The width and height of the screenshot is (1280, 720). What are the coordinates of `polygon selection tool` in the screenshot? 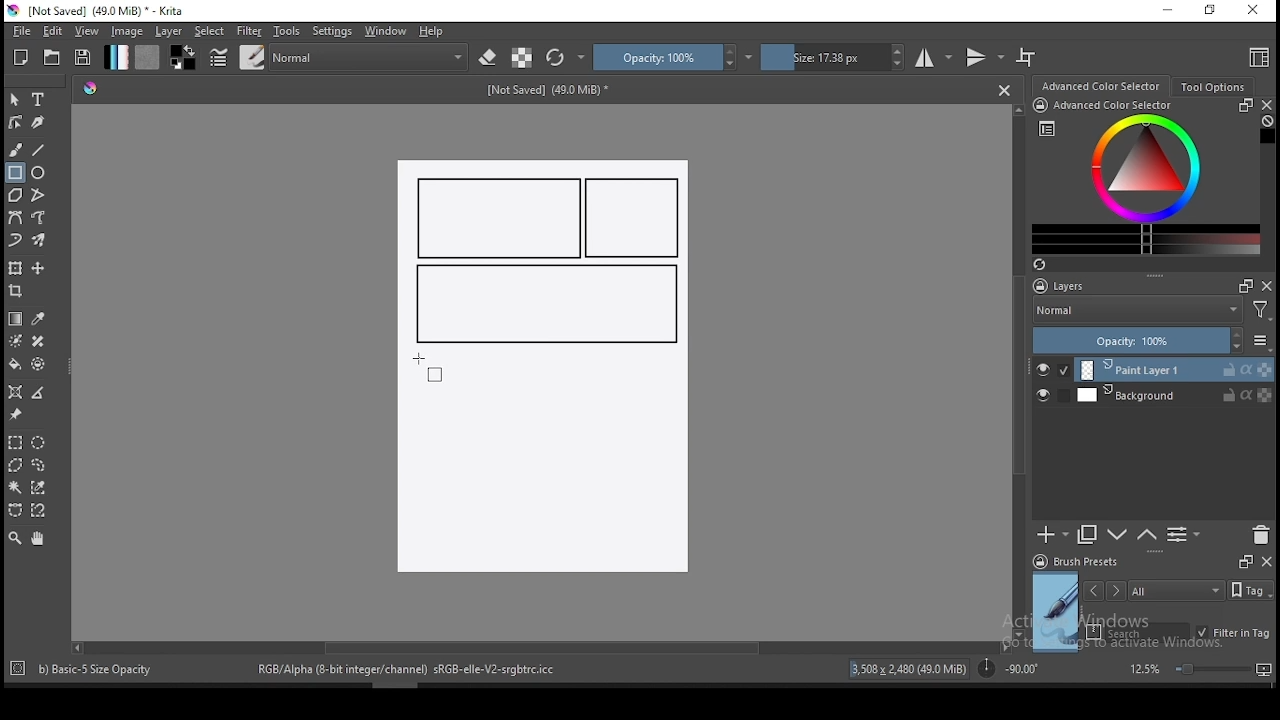 It's located at (16, 465).